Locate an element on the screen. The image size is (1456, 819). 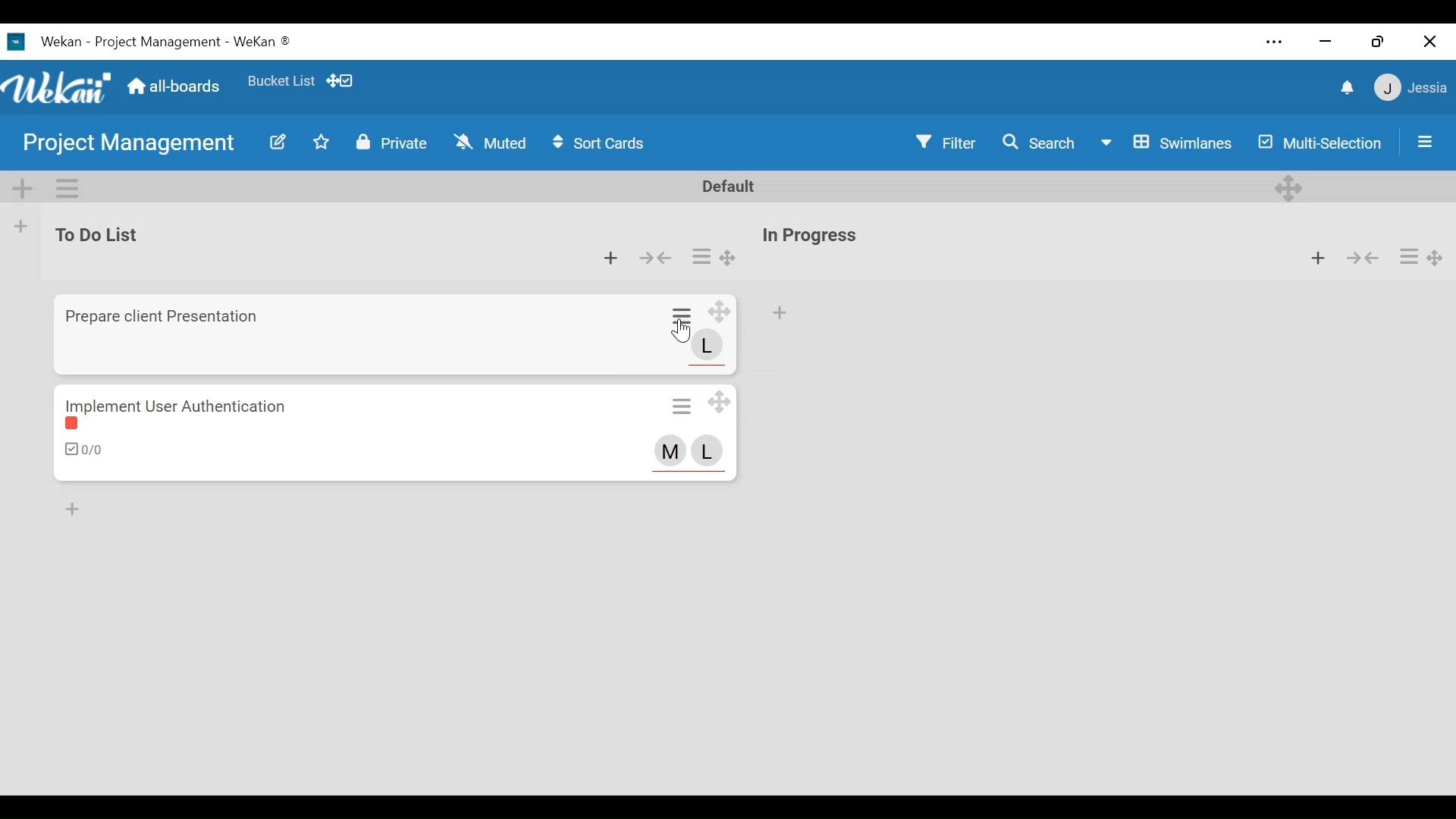
Board Name is located at coordinates (127, 145).